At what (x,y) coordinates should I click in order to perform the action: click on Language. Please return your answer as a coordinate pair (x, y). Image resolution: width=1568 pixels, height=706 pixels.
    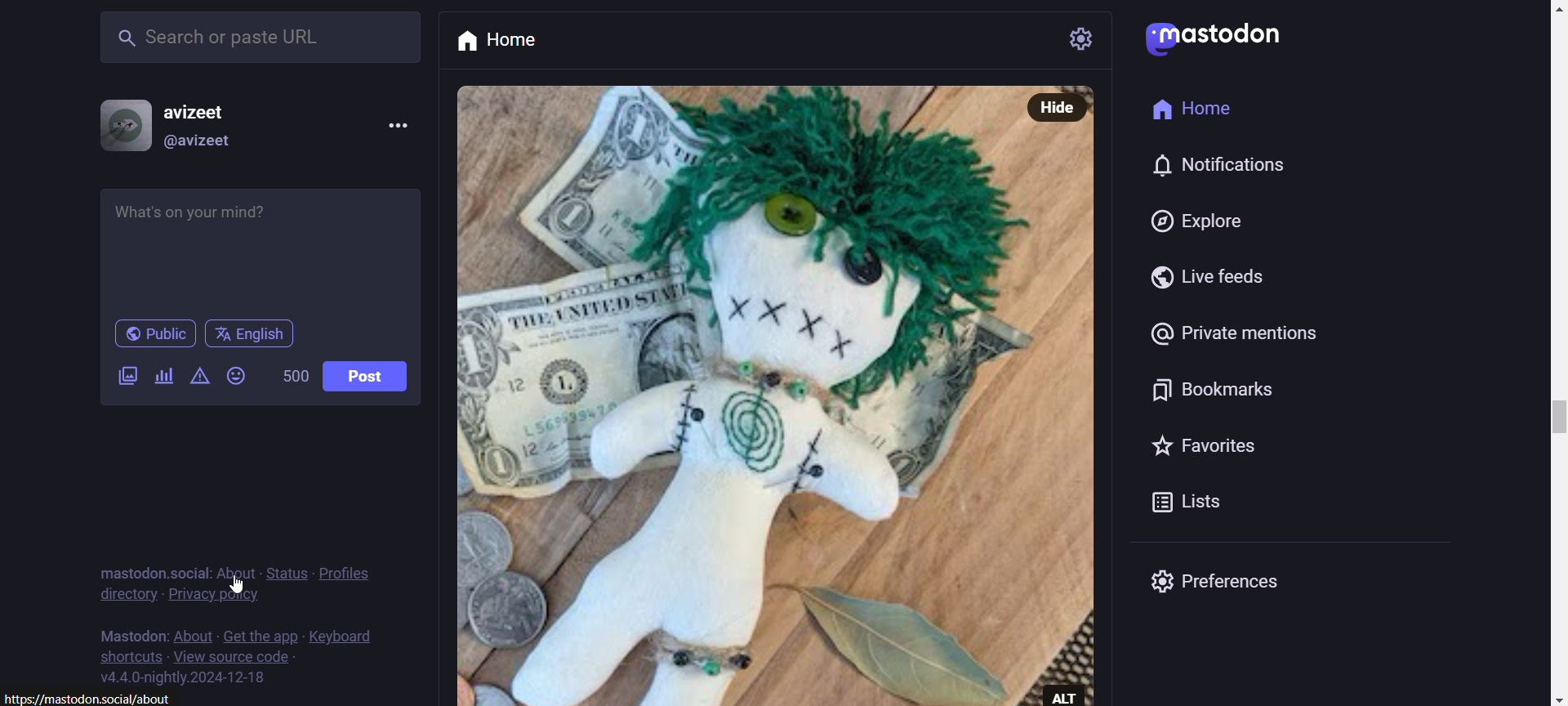
    Looking at the image, I should click on (249, 334).